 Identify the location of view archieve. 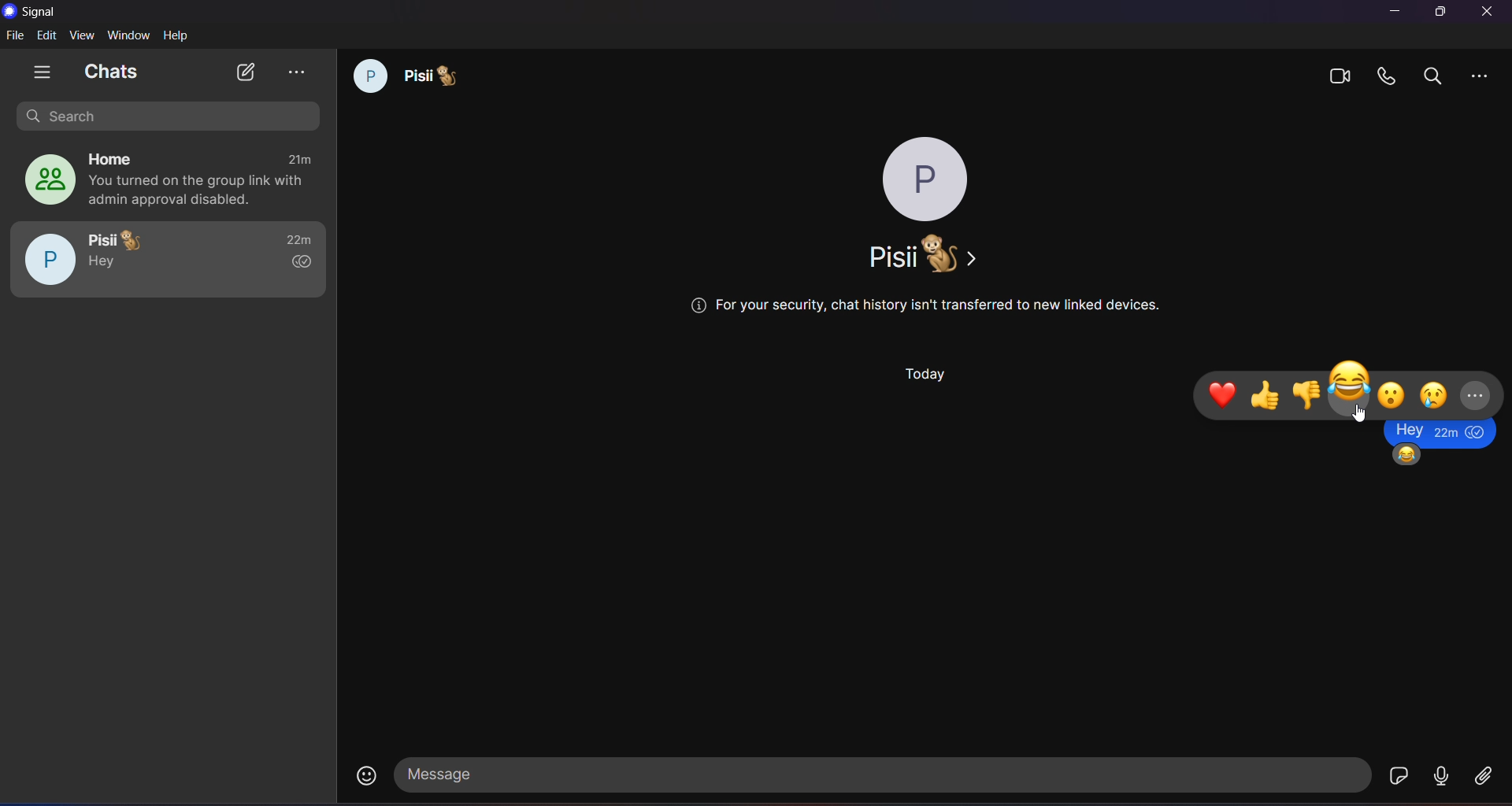
(295, 72).